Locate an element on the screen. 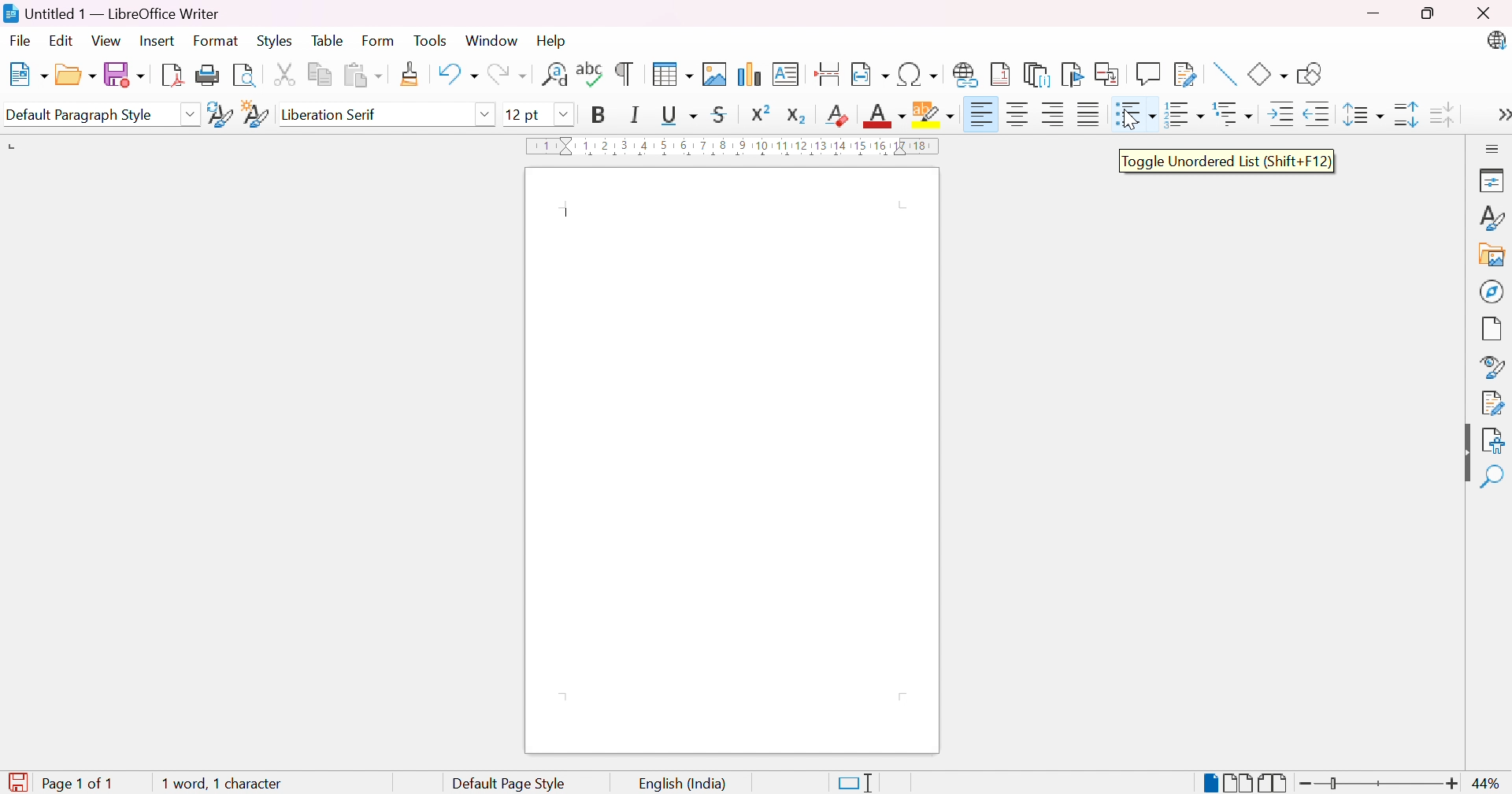  Save is located at coordinates (125, 75).